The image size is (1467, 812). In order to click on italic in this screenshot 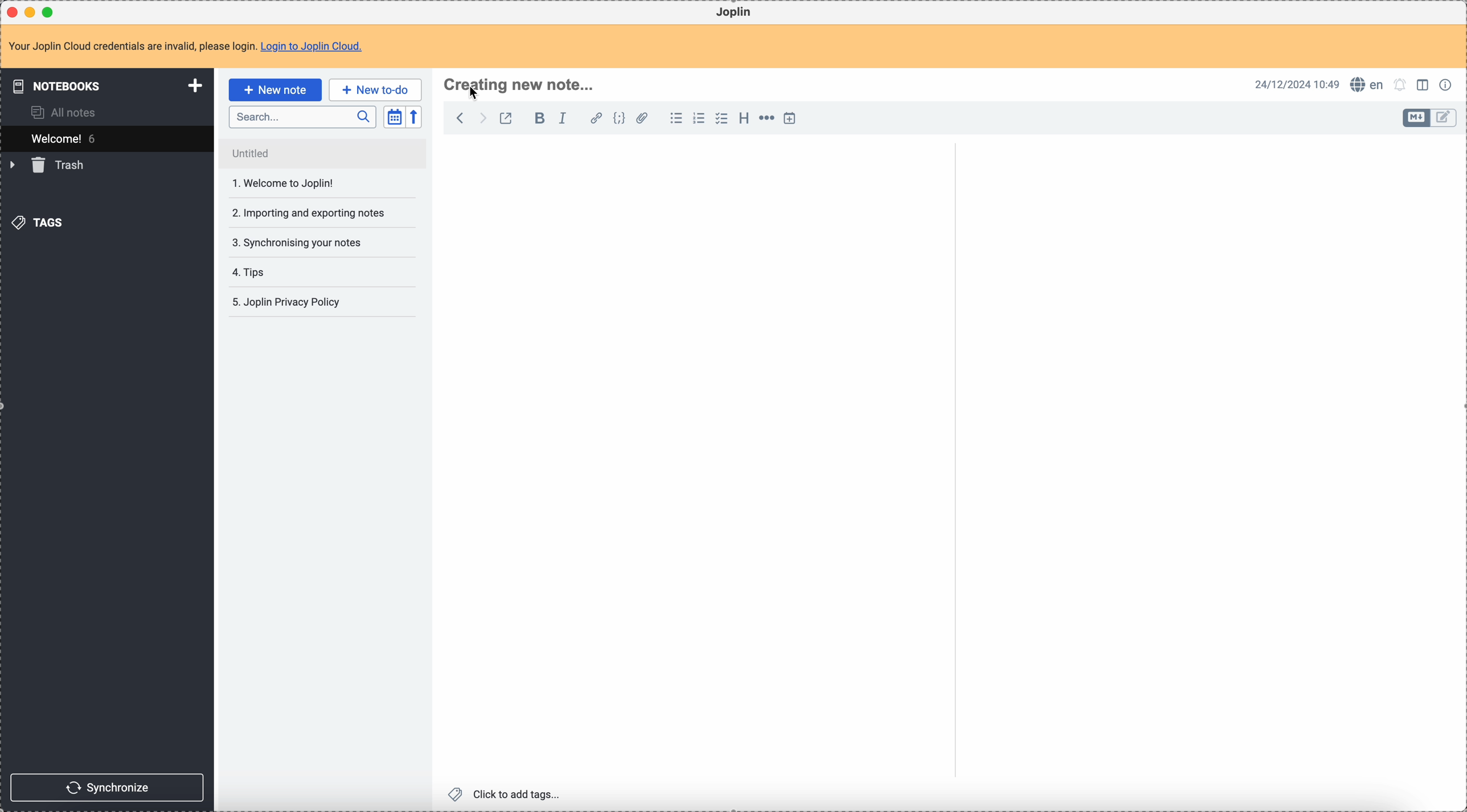, I will do `click(564, 119)`.